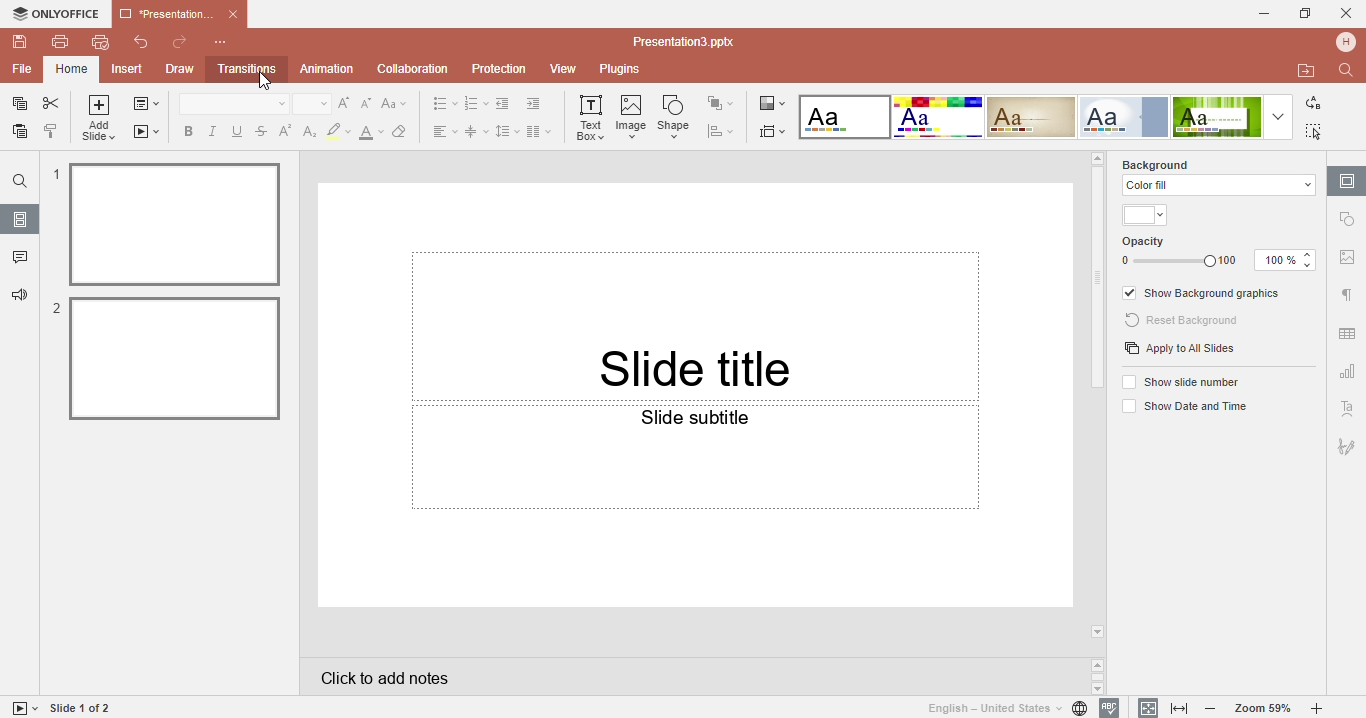 The width and height of the screenshot is (1366, 718). What do you see at coordinates (505, 103) in the screenshot?
I see `Decrease indent` at bounding box center [505, 103].